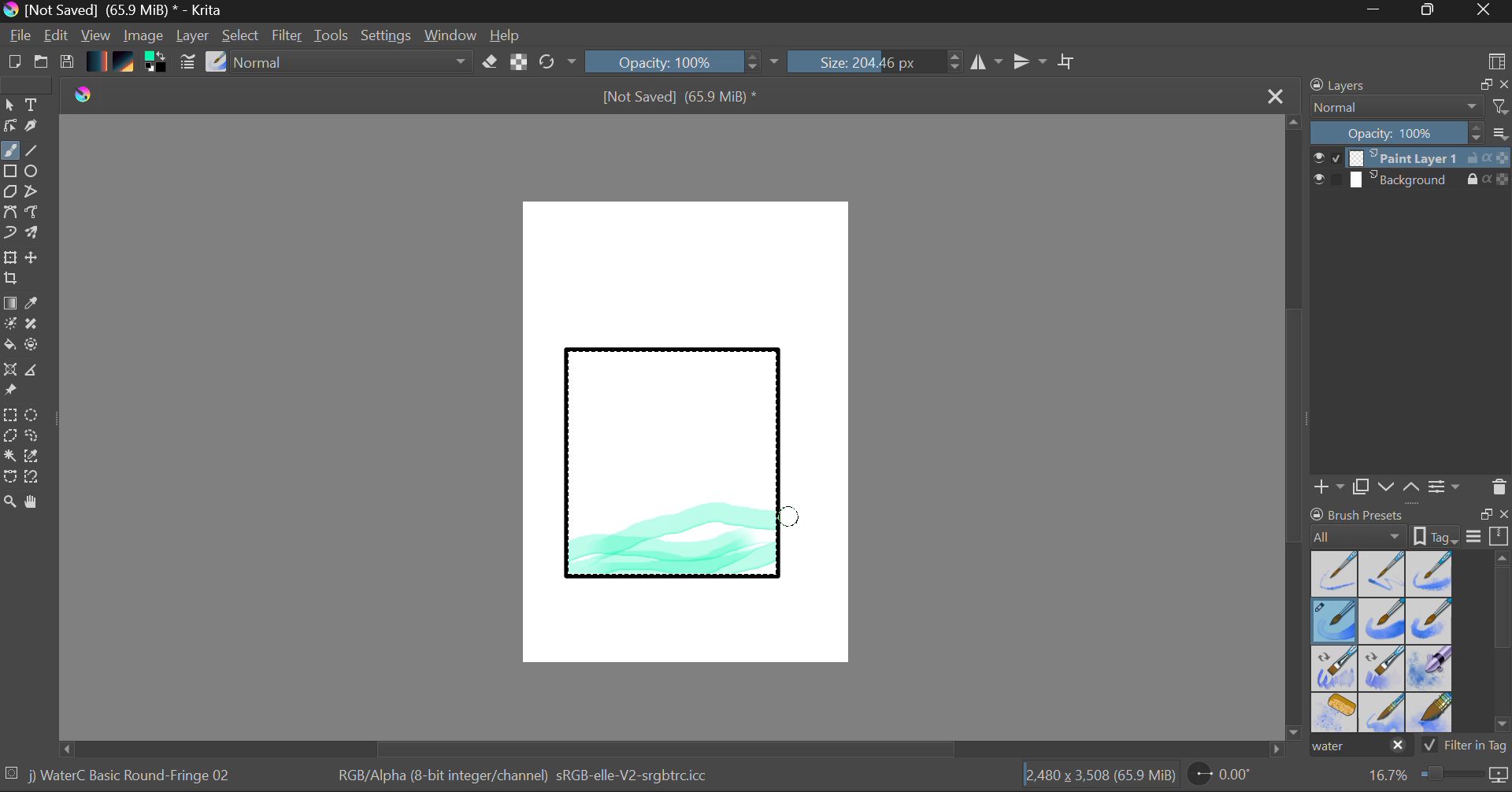 Image resolution: width=1512 pixels, height=792 pixels. What do you see at coordinates (1407, 83) in the screenshot?
I see `Layers Docket Tab` at bounding box center [1407, 83].